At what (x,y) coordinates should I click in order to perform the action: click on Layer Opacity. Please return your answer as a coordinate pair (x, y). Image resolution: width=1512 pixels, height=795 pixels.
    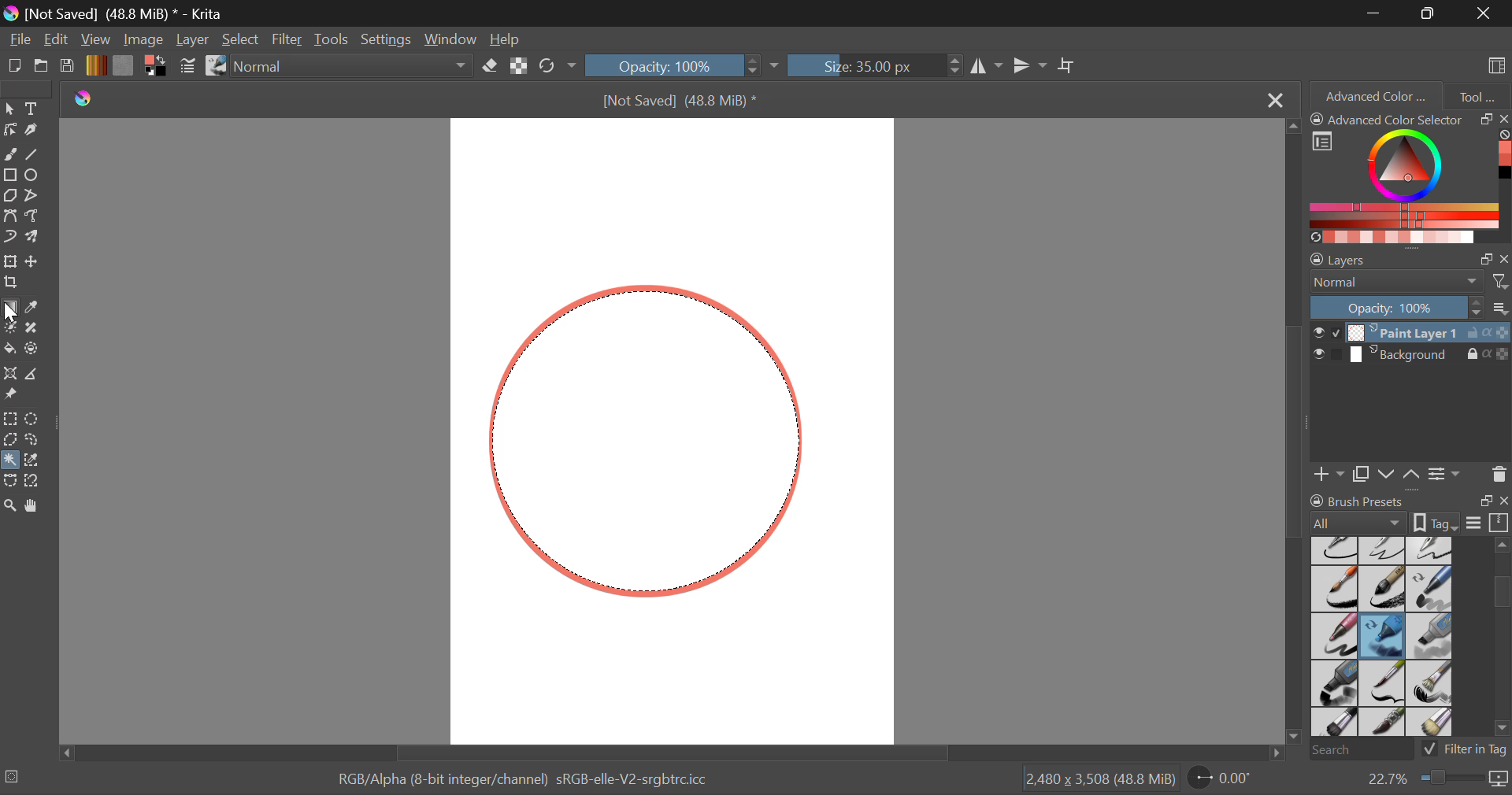
    Looking at the image, I should click on (1410, 307).